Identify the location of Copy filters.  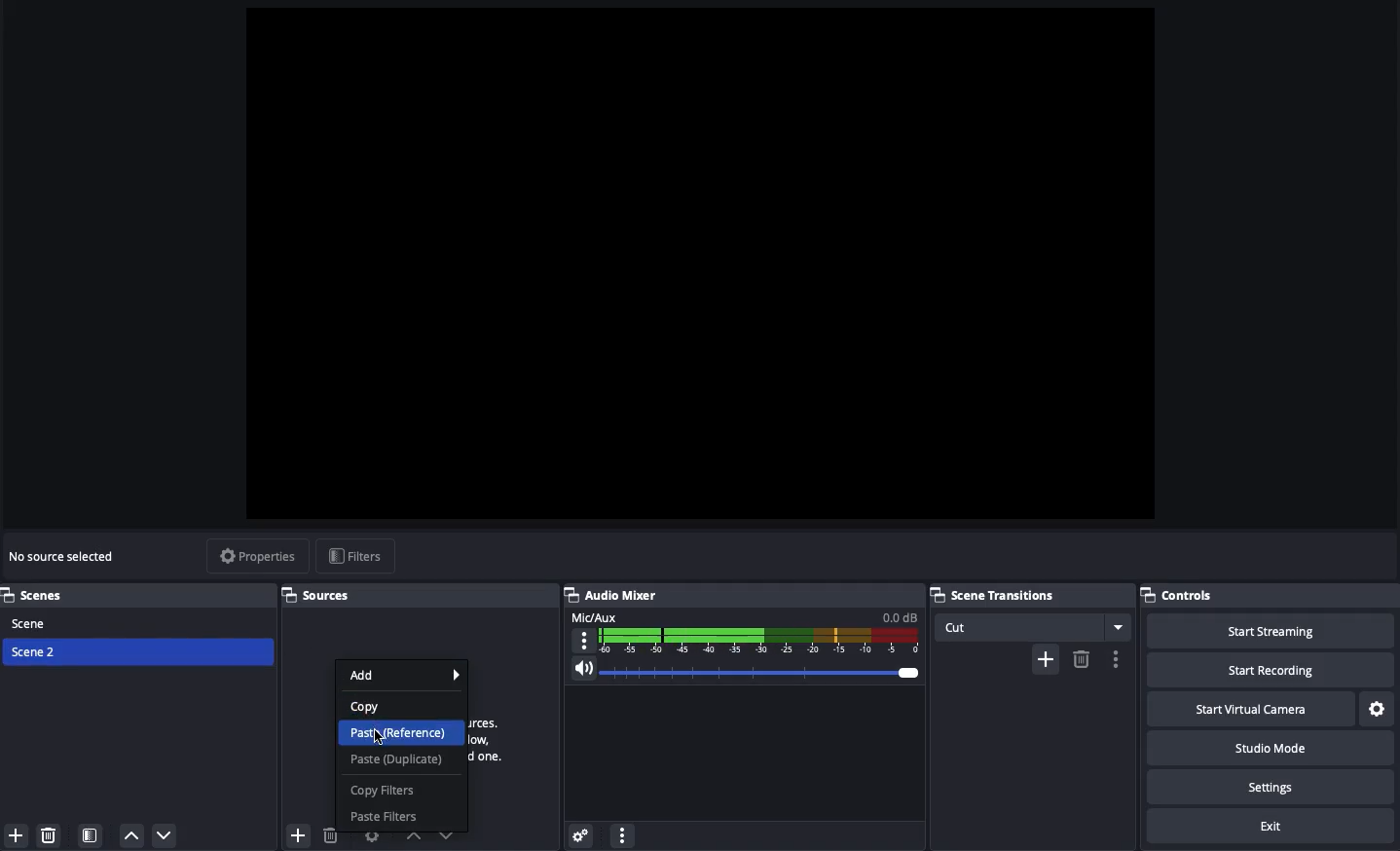
(387, 790).